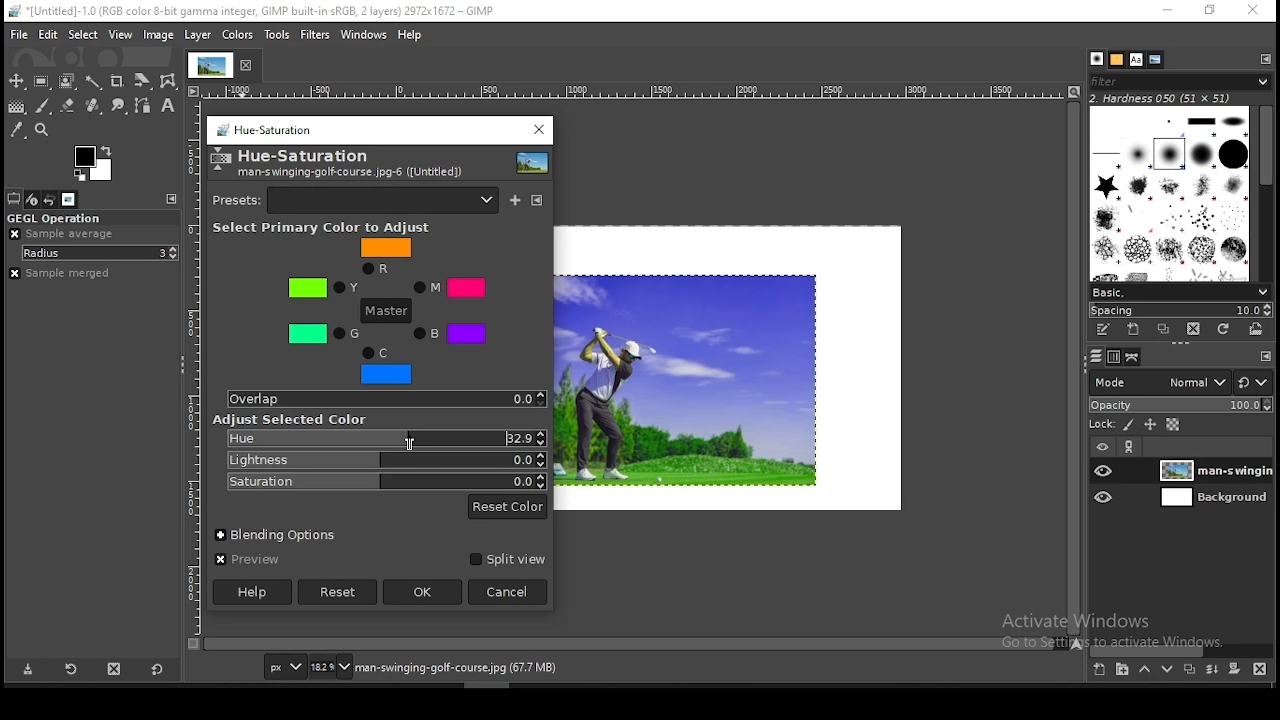 Image resolution: width=1280 pixels, height=720 pixels. I want to click on hue saturation, so click(264, 131).